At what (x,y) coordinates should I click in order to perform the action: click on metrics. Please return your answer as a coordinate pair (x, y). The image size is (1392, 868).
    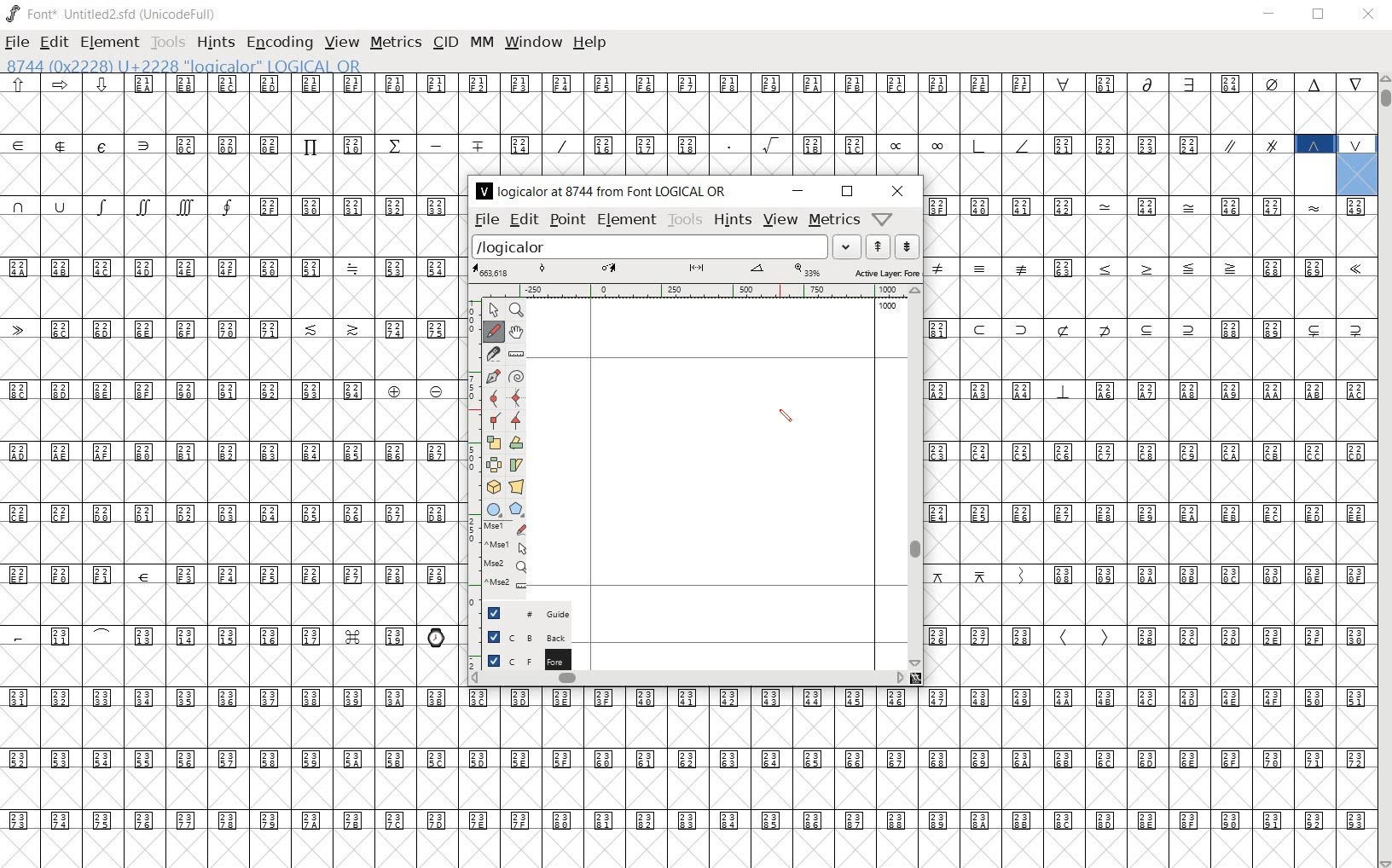
    Looking at the image, I should click on (834, 219).